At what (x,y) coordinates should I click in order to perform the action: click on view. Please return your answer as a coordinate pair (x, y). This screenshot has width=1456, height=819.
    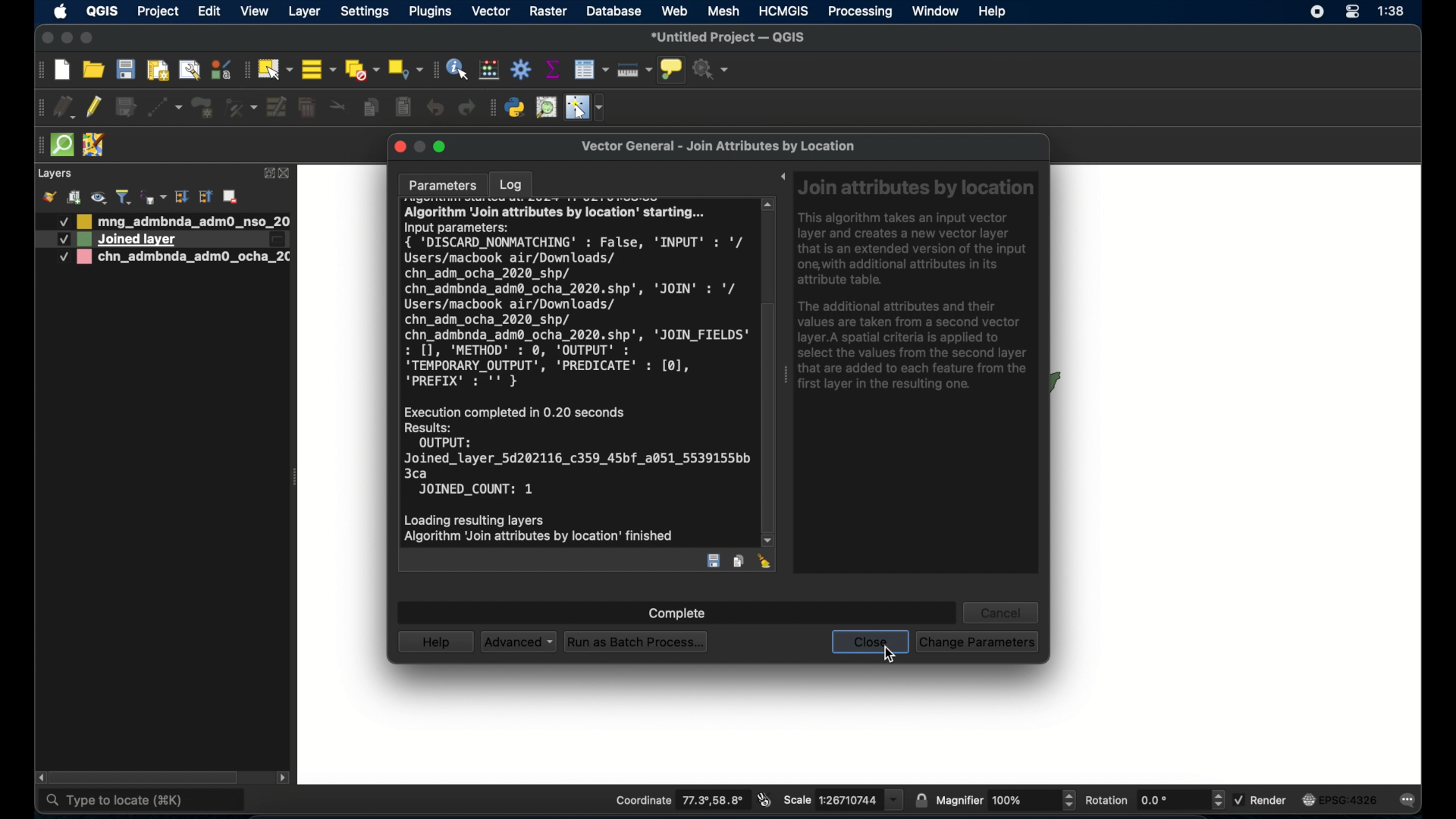
    Looking at the image, I should click on (254, 12).